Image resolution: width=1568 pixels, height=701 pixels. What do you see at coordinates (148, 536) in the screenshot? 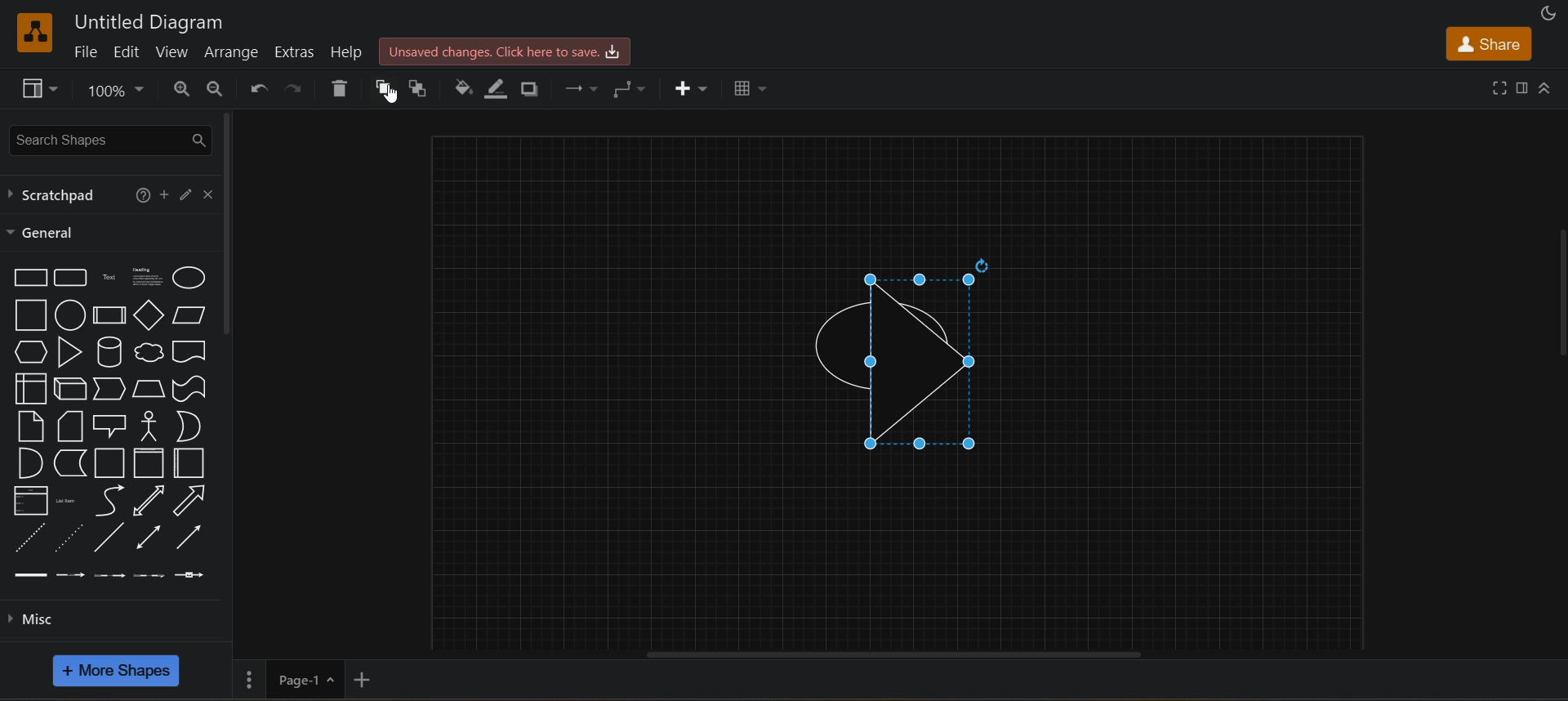
I see `bidirectional connector` at bounding box center [148, 536].